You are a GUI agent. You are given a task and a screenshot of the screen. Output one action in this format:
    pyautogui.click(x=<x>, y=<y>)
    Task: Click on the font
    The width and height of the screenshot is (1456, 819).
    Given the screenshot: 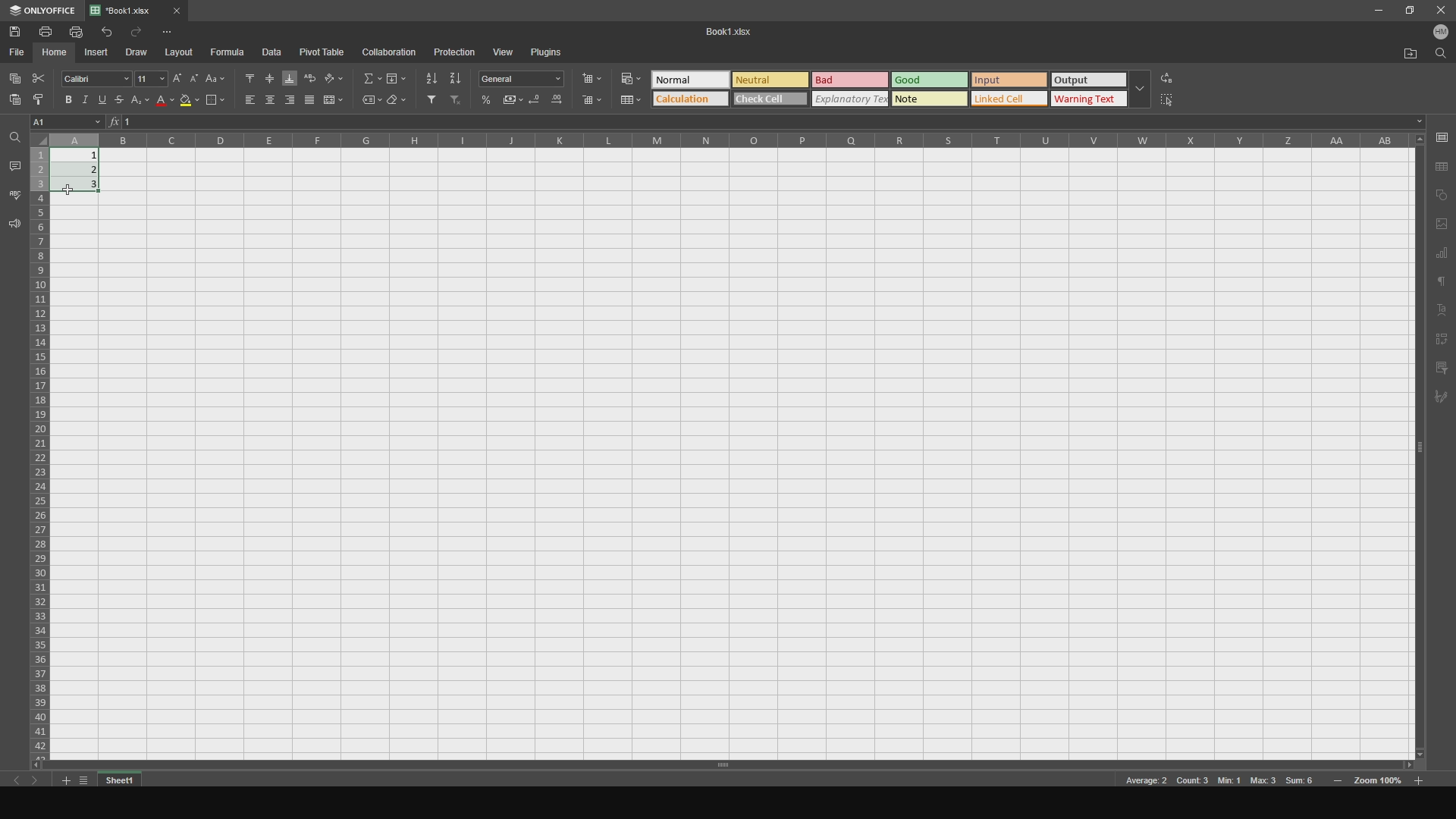 What is the action you would take?
    pyautogui.click(x=94, y=78)
    